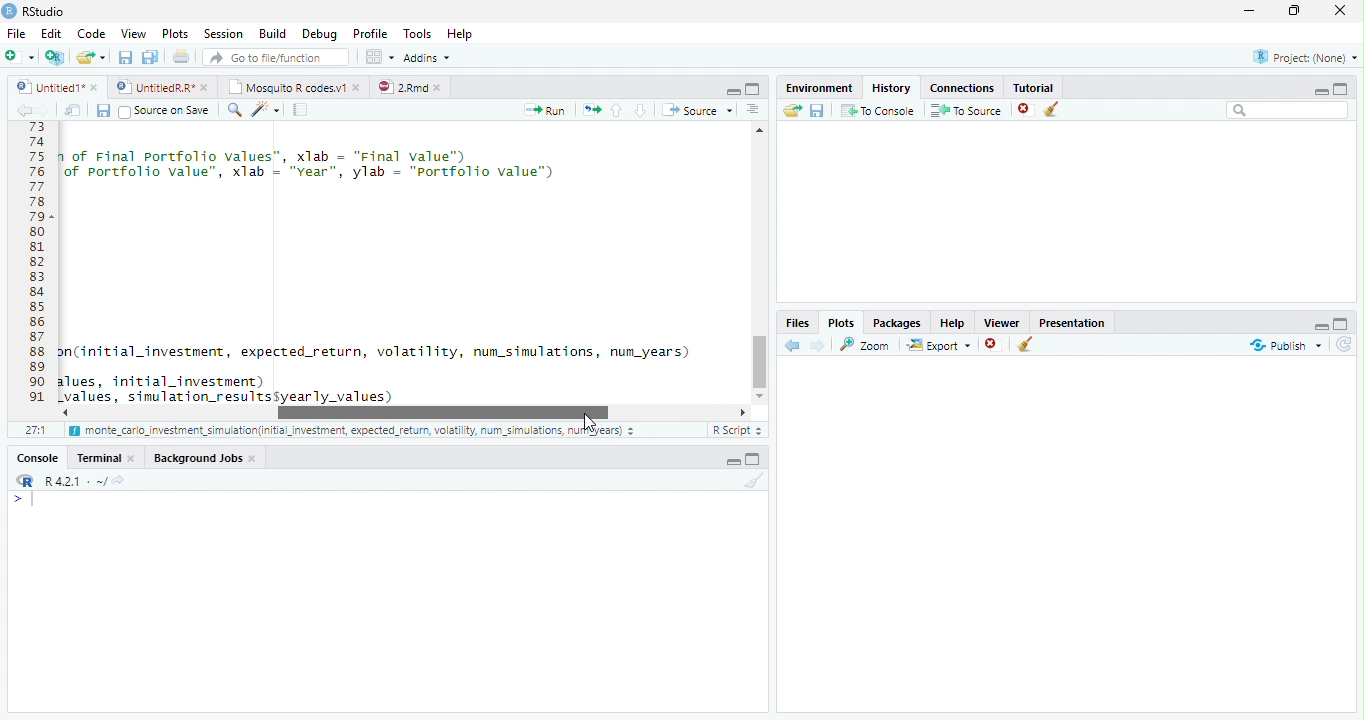 The height and width of the screenshot is (720, 1364). What do you see at coordinates (235, 110) in the screenshot?
I see `Find and replace` at bounding box center [235, 110].